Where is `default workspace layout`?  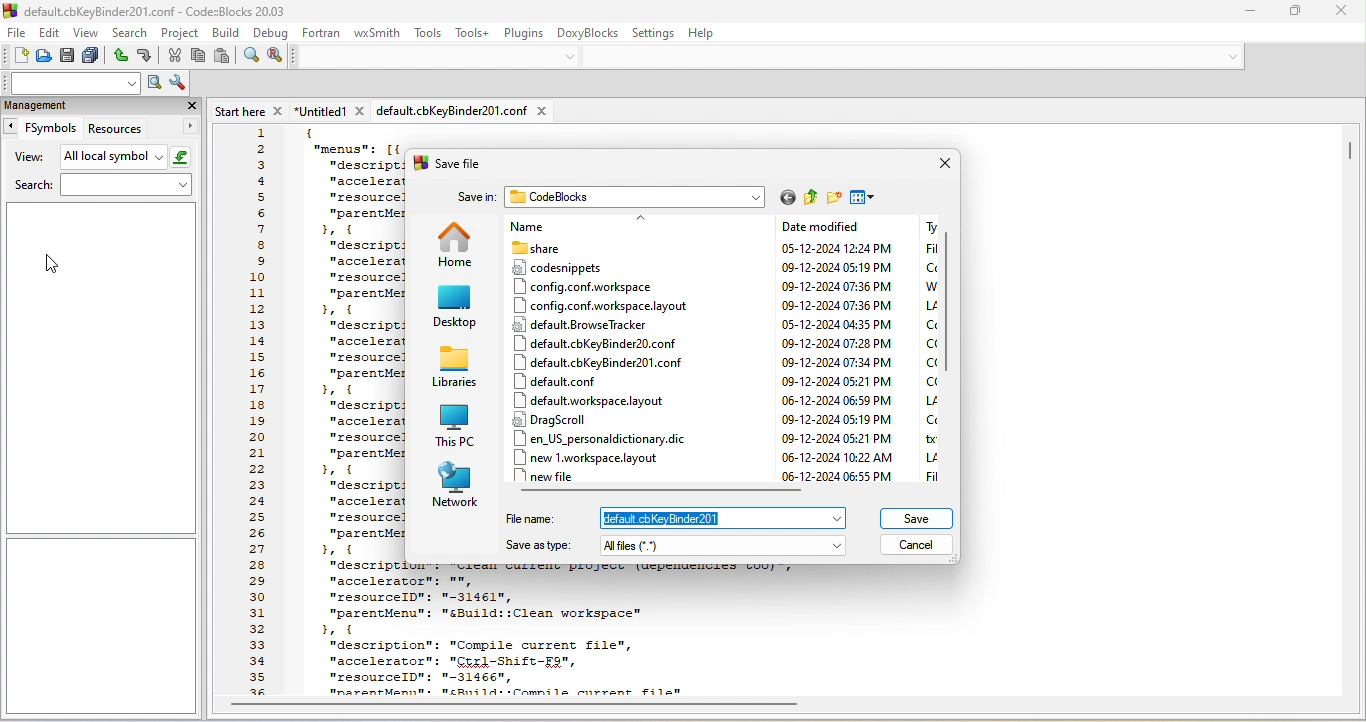 default workspace layout is located at coordinates (587, 400).